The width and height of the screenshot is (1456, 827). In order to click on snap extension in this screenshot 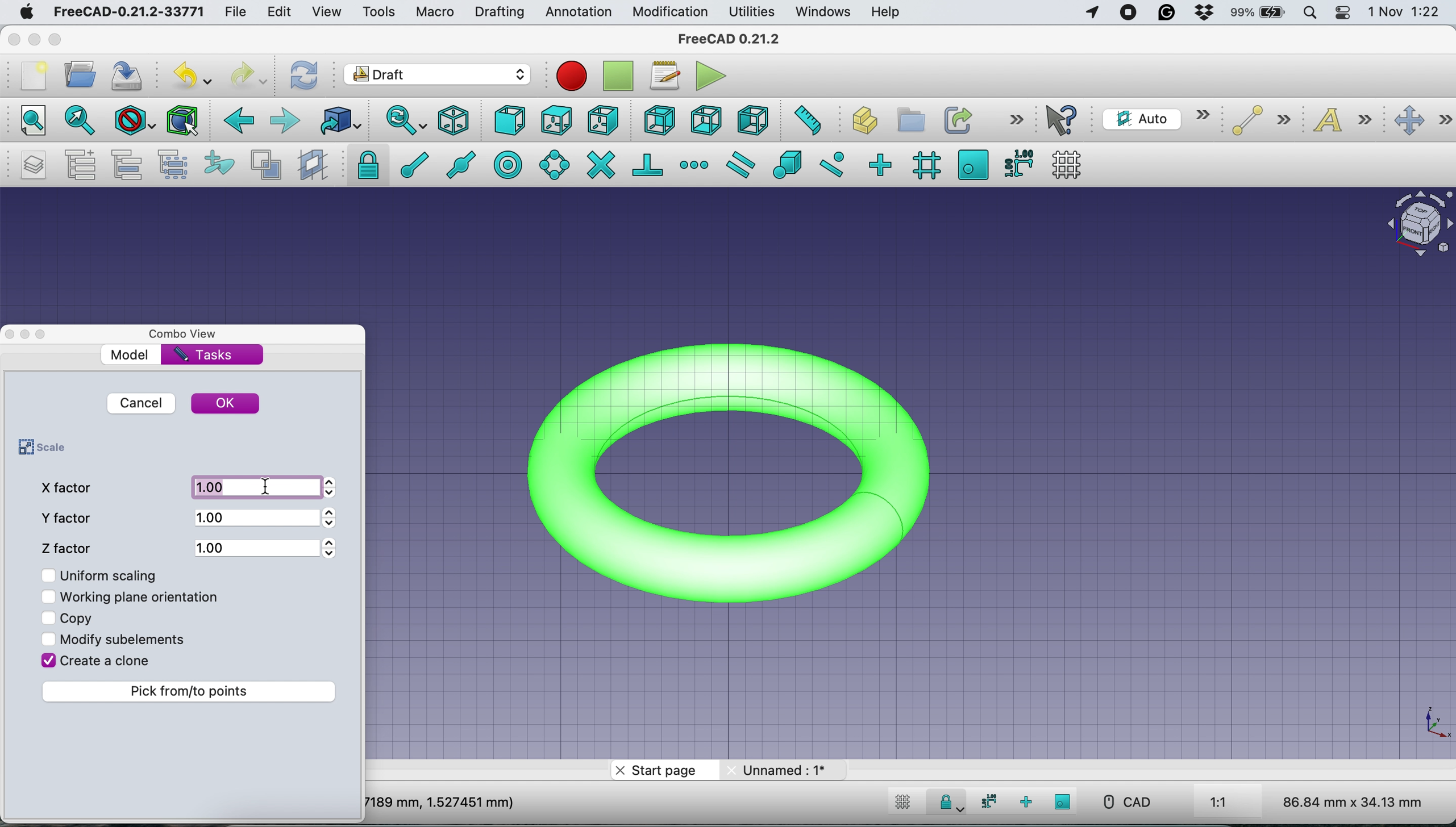, I will do `click(694, 164)`.